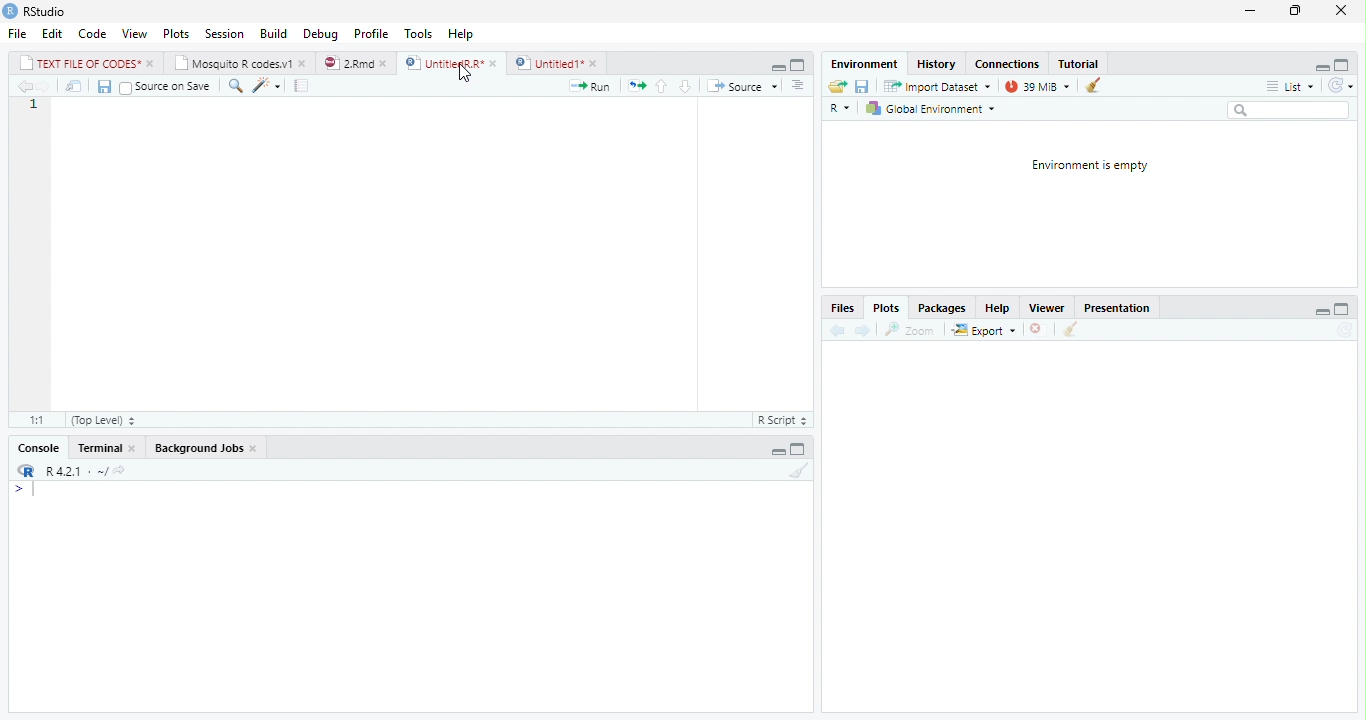 The width and height of the screenshot is (1366, 720). Describe the element at coordinates (837, 85) in the screenshot. I see `Open folder` at that location.